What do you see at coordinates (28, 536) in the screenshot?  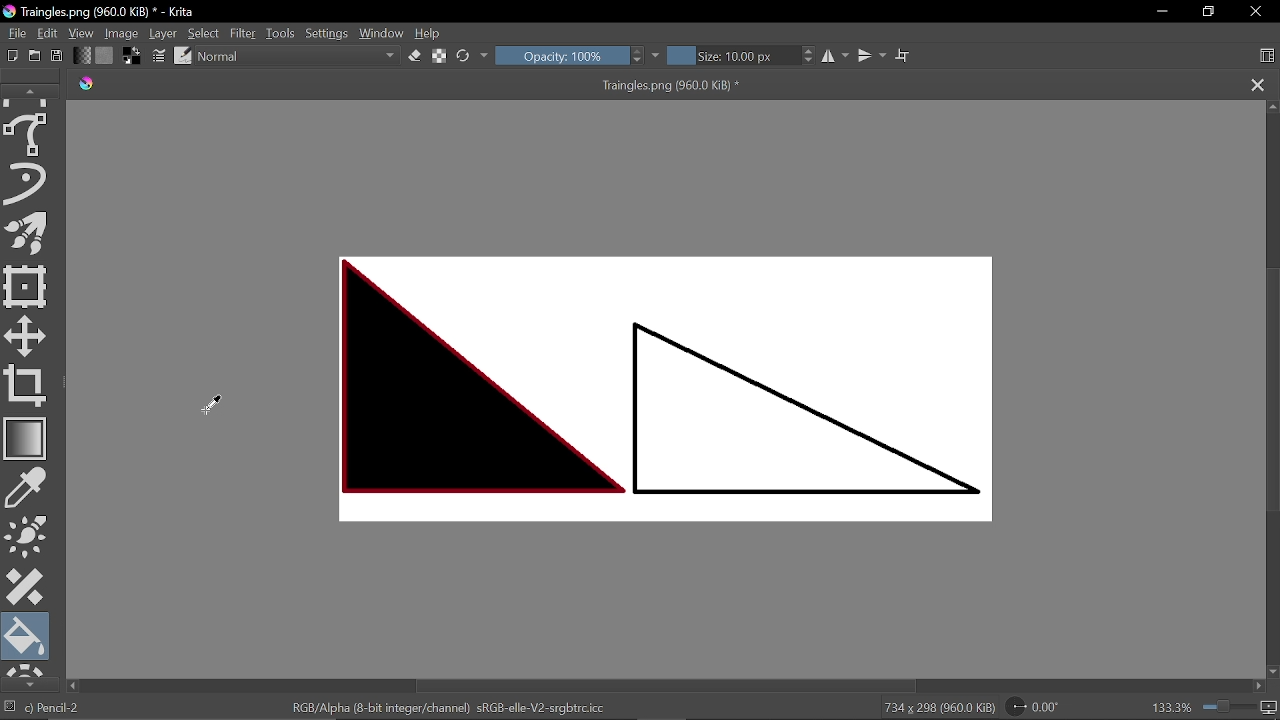 I see `Colorize mask tool` at bounding box center [28, 536].